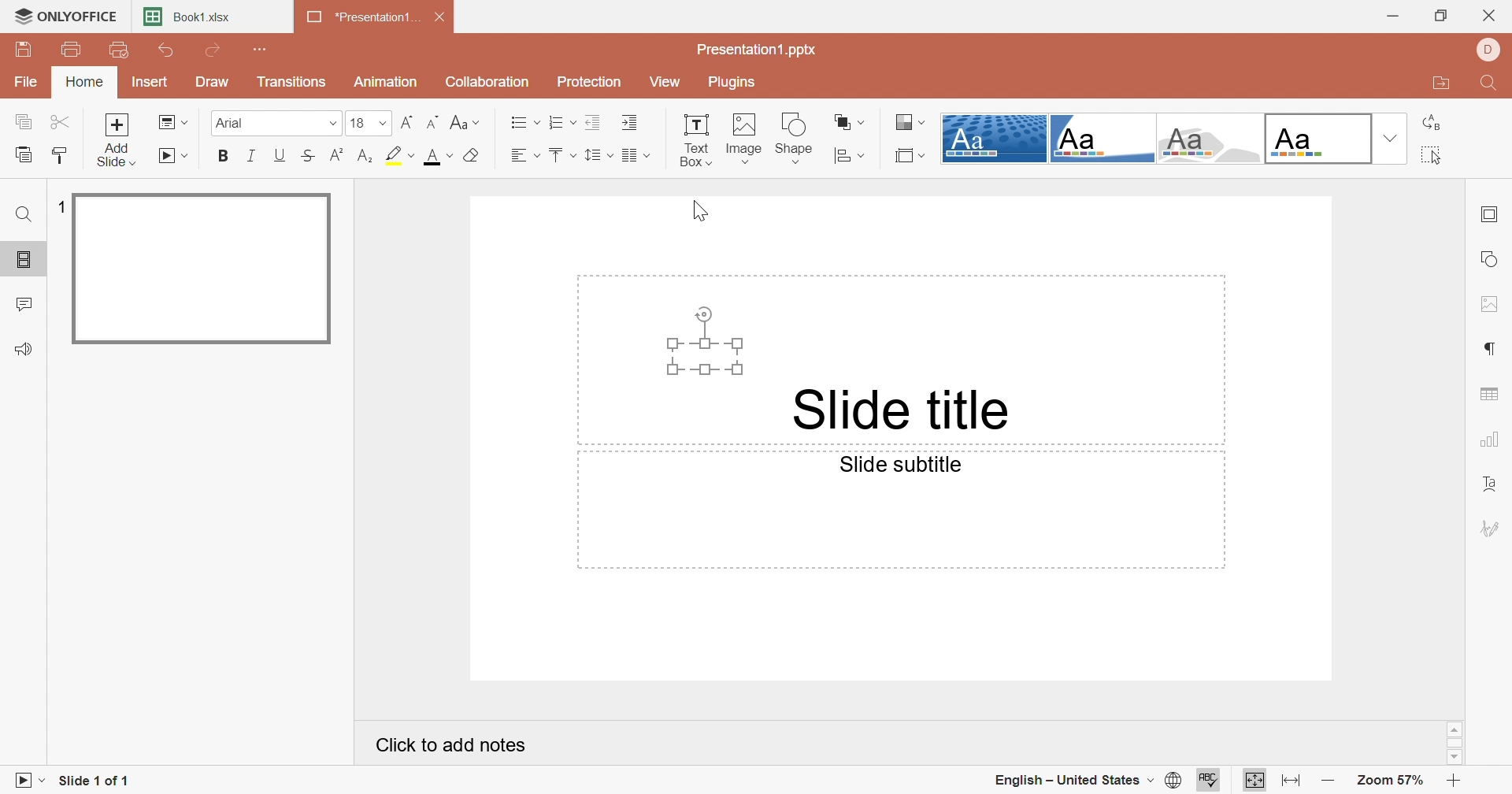 The image size is (1512, 794). What do you see at coordinates (995, 138) in the screenshot?
I see `Dotted` at bounding box center [995, 138].